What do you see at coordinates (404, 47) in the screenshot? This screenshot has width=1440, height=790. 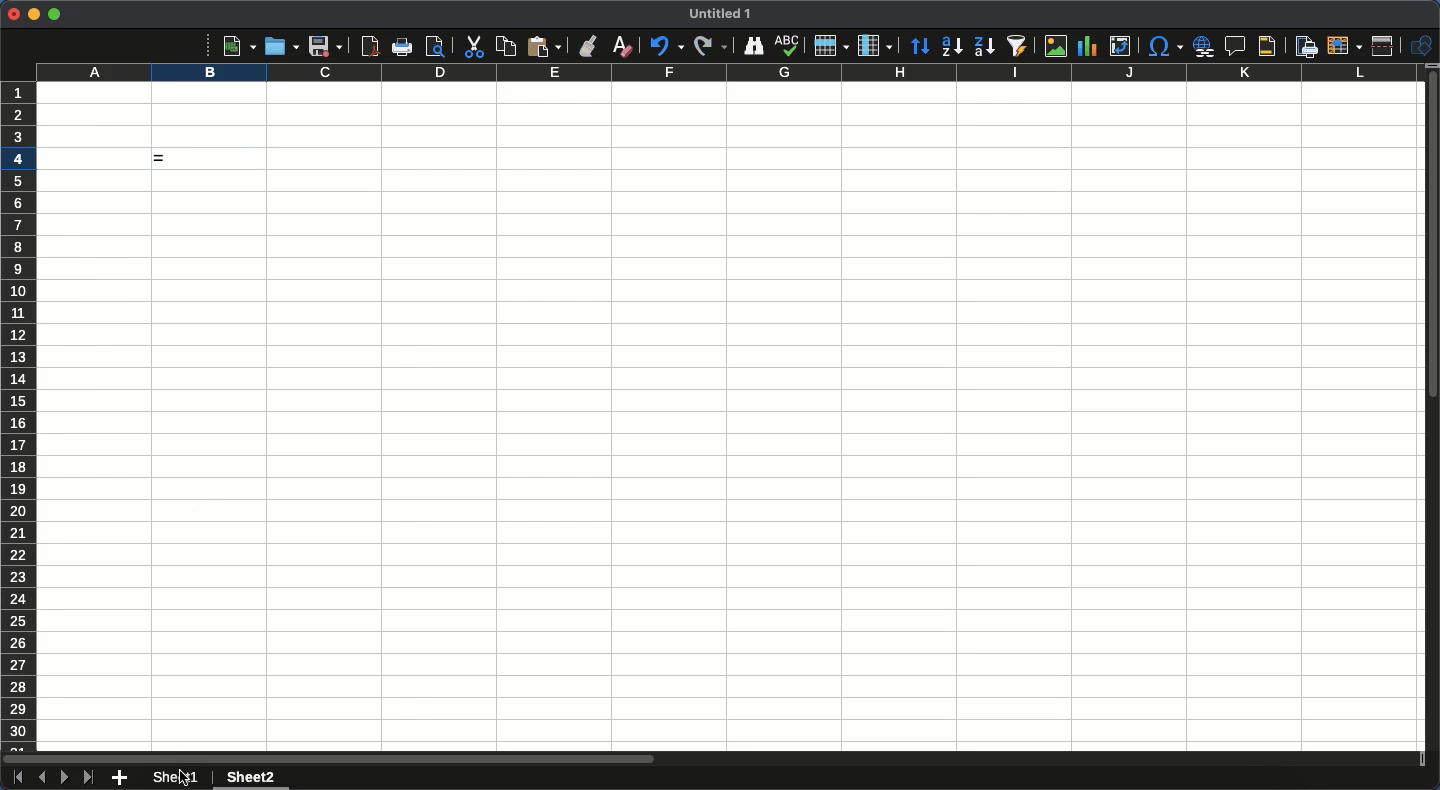 I see `Print` at bounding box center [404, 47].